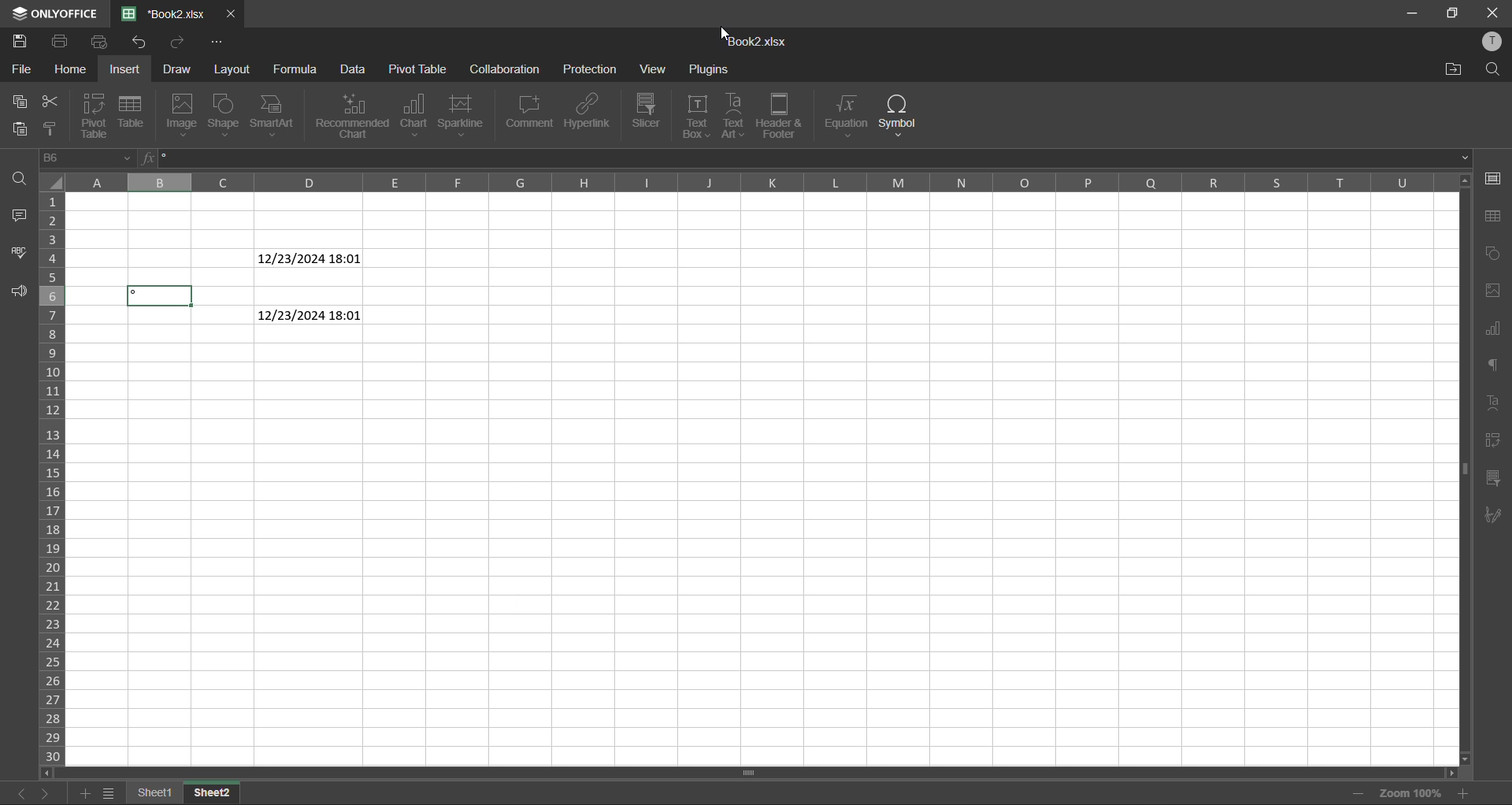 The image size is (1512, 805). Describe the element at coordinates (651, 112) in the screenshot. I see `slicer` at that location.